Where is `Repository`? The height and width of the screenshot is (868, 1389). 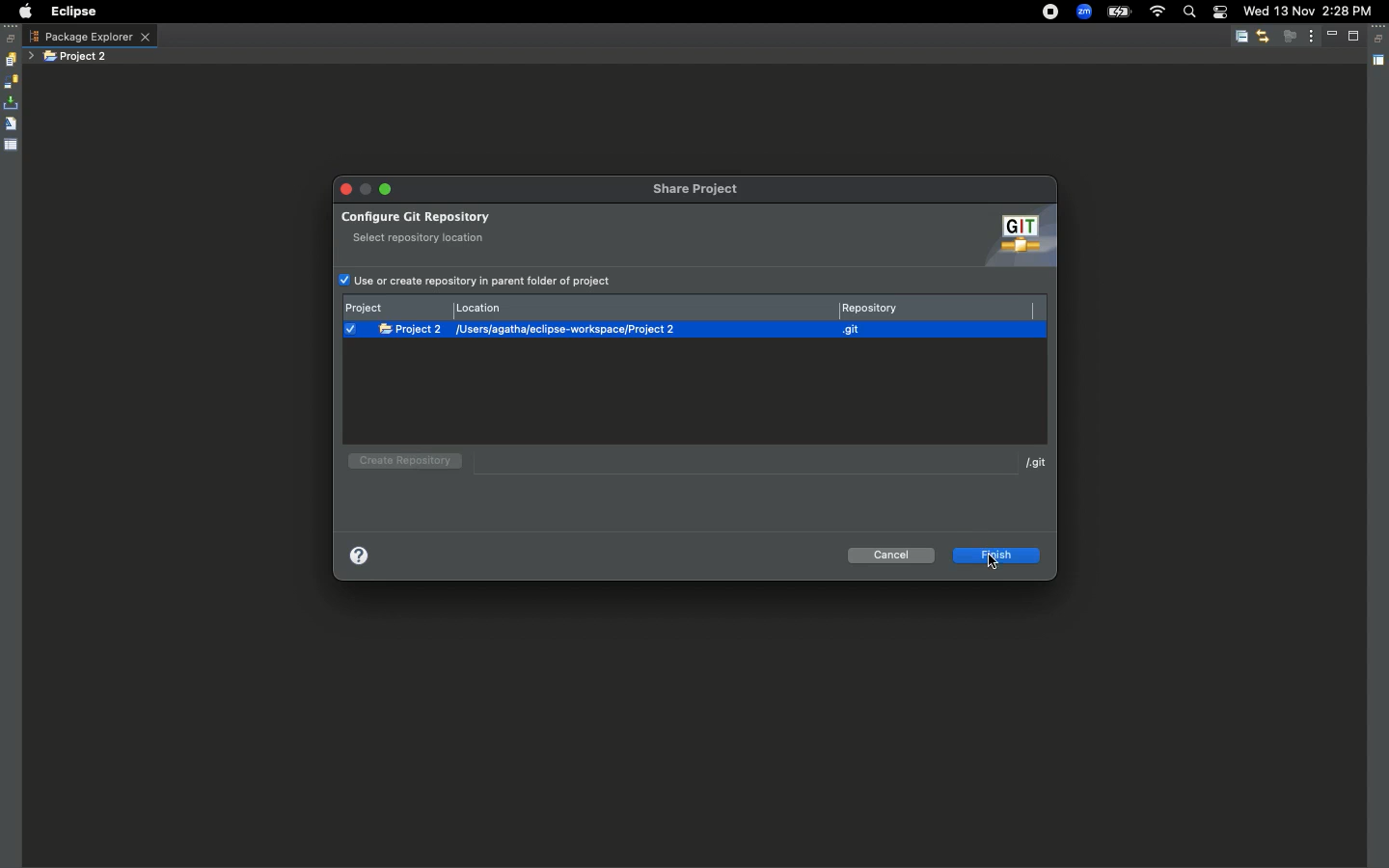 Repository is located at coordinates (934, 307).